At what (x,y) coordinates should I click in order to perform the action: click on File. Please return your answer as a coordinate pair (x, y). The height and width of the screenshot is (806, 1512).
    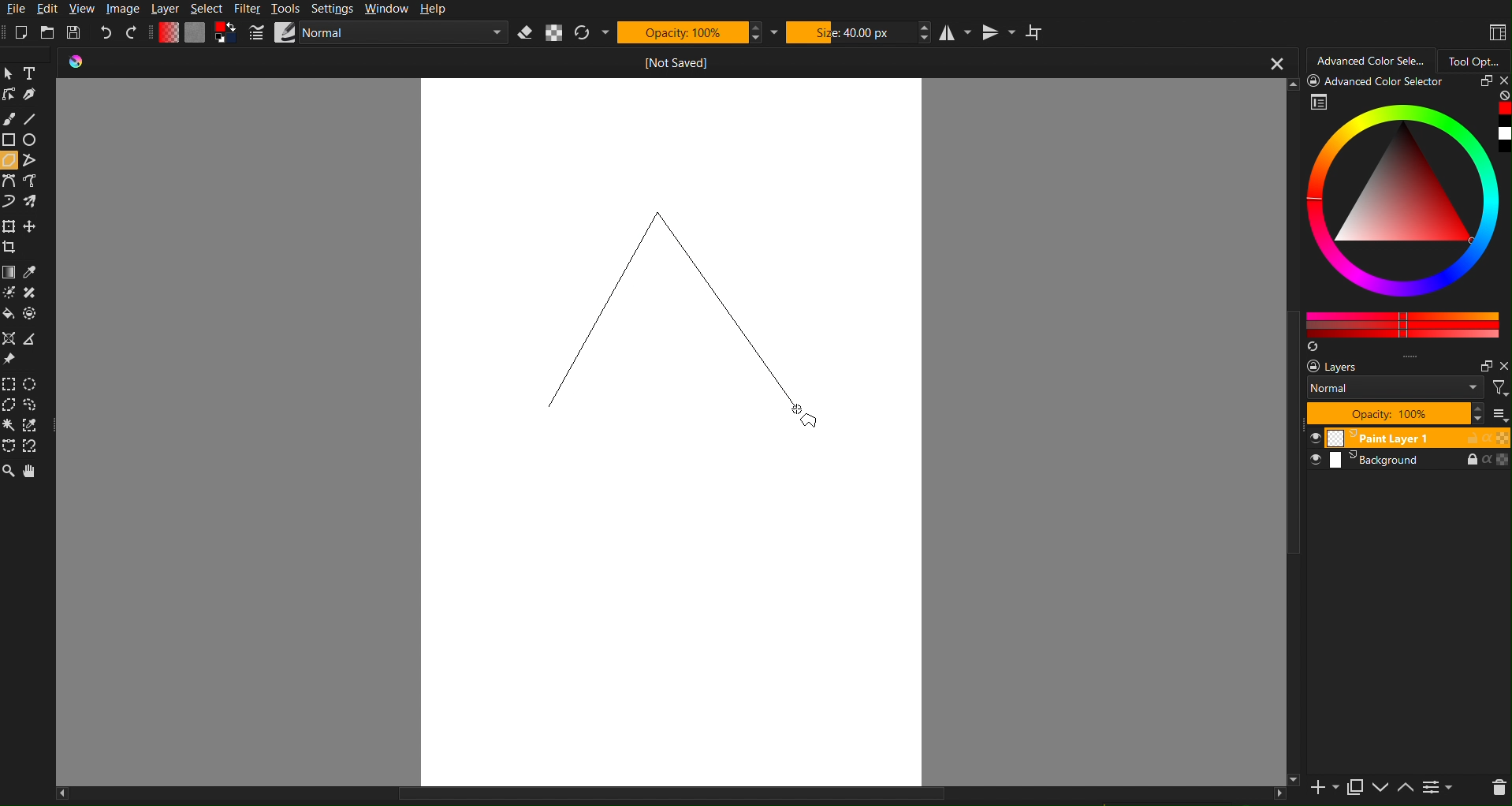
    Looking at the image, I should click on (20, 9).